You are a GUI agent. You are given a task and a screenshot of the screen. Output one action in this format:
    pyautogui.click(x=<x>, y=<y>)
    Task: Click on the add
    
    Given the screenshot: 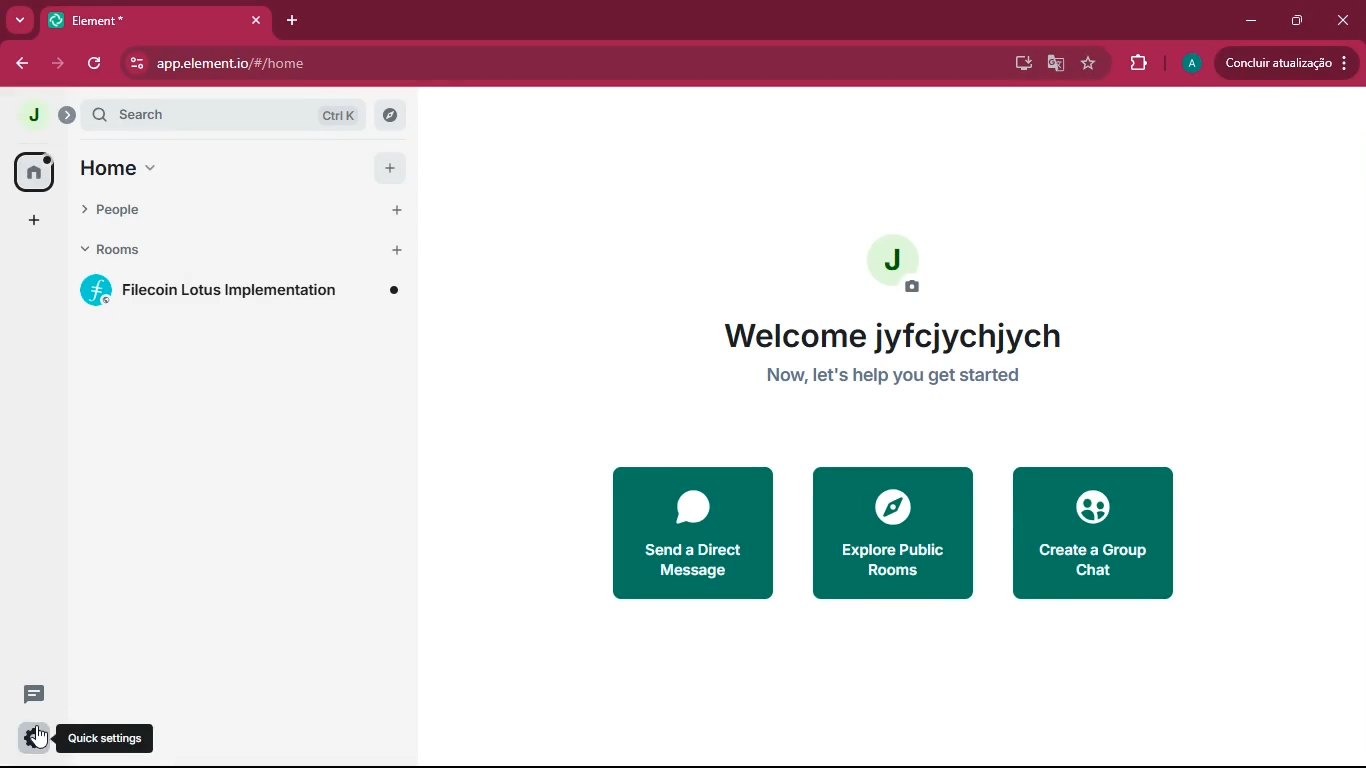 What is the action you would take?
    pyautogui.click(x=390, y=167)
    